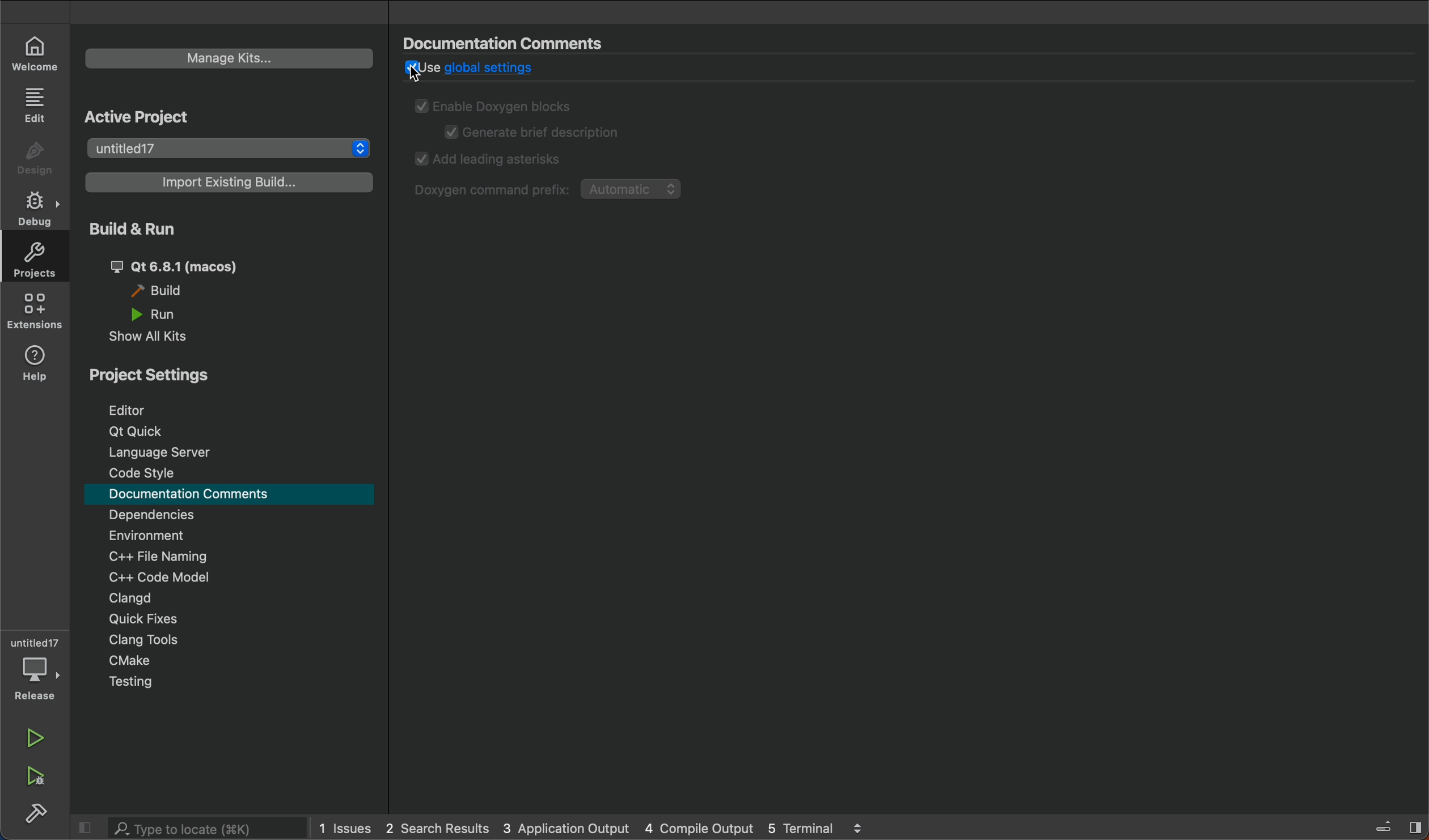 This screenshot has height=840, width=1429. What do you see at coordinates (138, 432) in the screenshot?
I see `t quick` at bounding box center [138, 432].